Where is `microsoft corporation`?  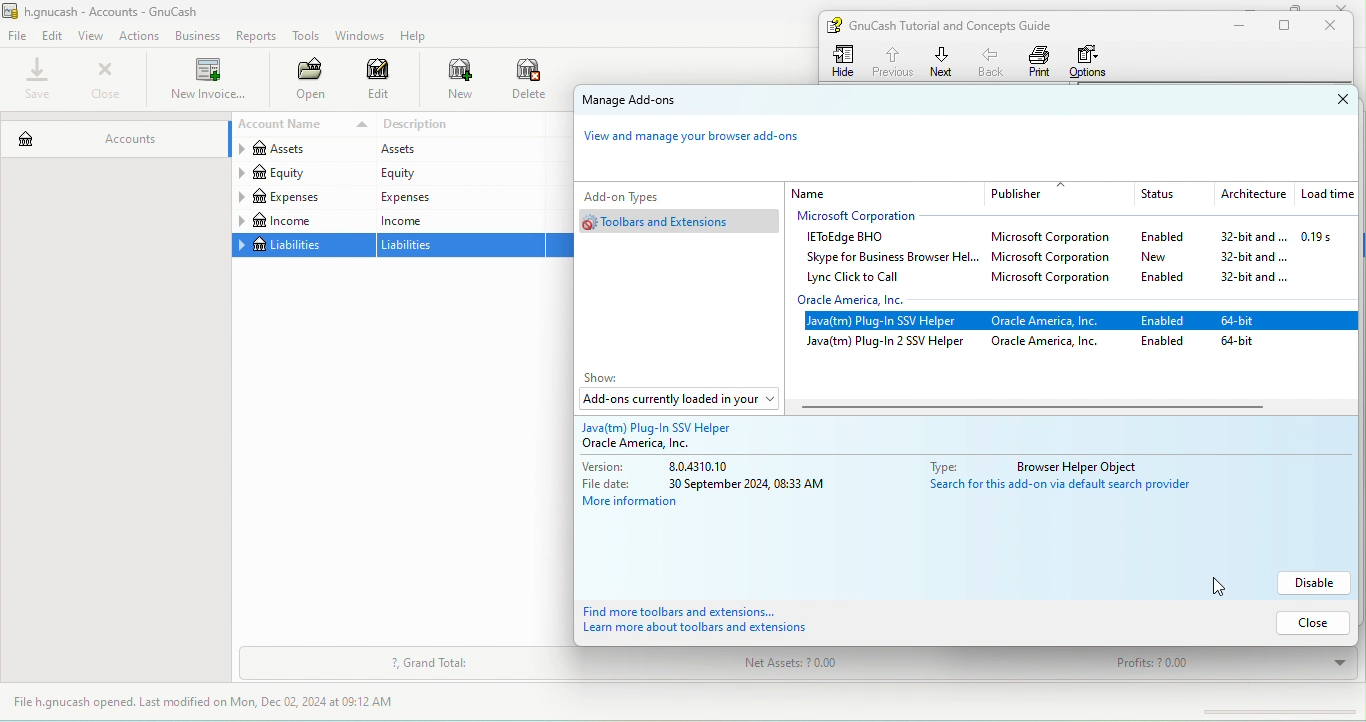 microsoft corporation is located at coordinates (1055, 259).